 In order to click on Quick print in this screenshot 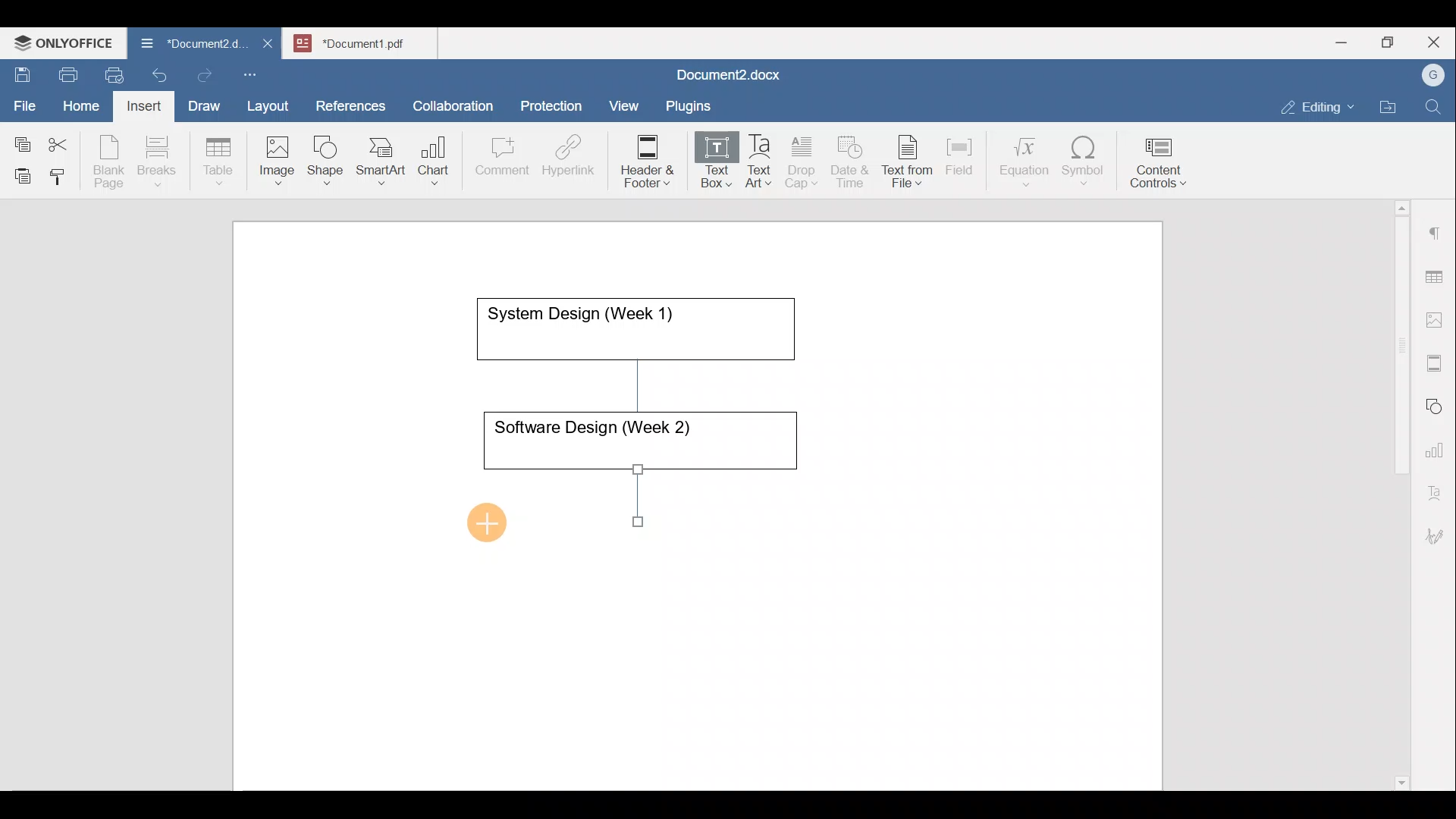, I will do `click(110, 73)`.